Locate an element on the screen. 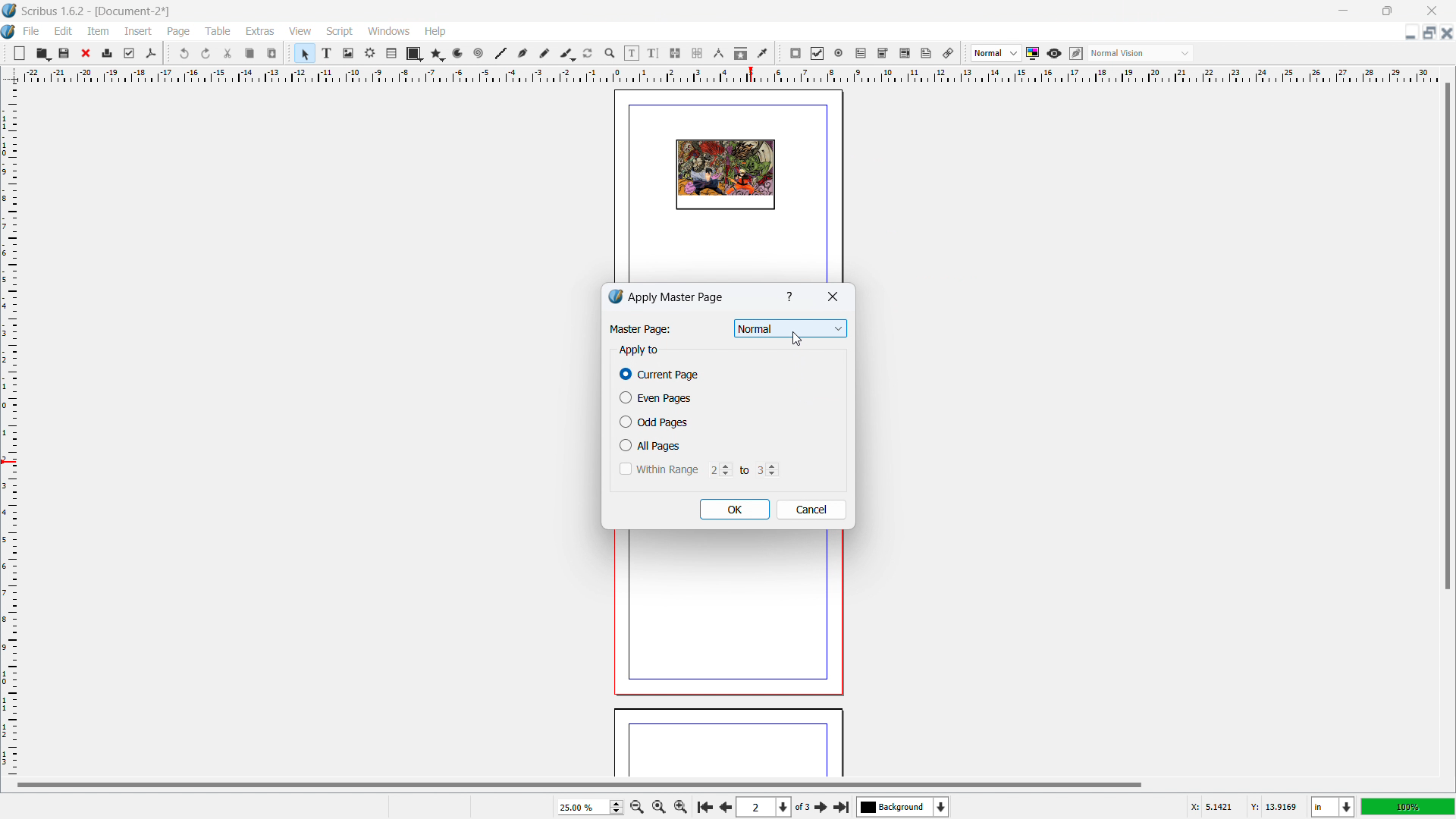  vertical ruler is located at coordinates (9, 430).